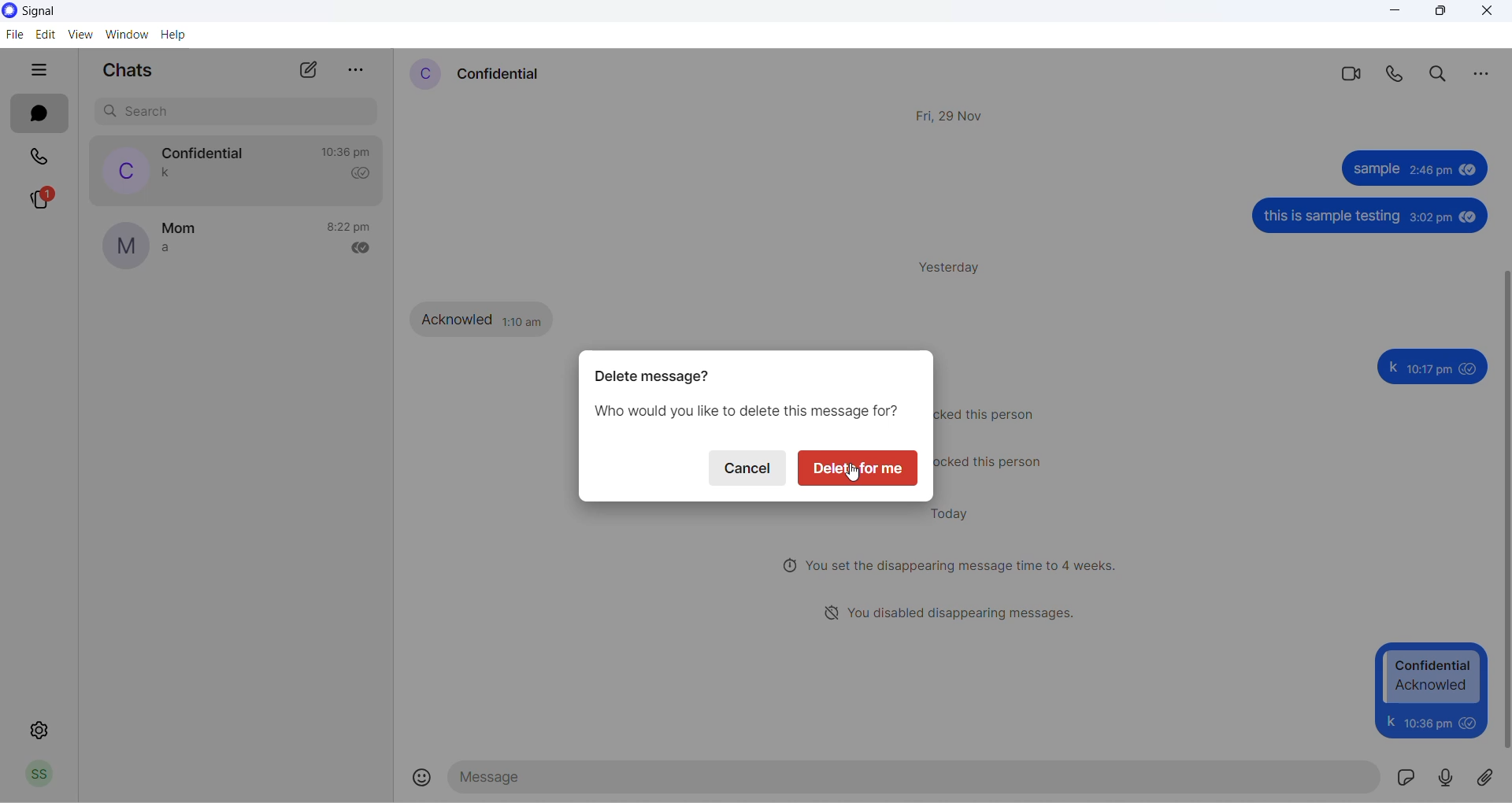 This screenshot has height=803, width=1512. What do you see at coordinates (745, 413) in the screenshot?
I see `‘Who would you like to delete this message for?` at bounding box center [745, 413].